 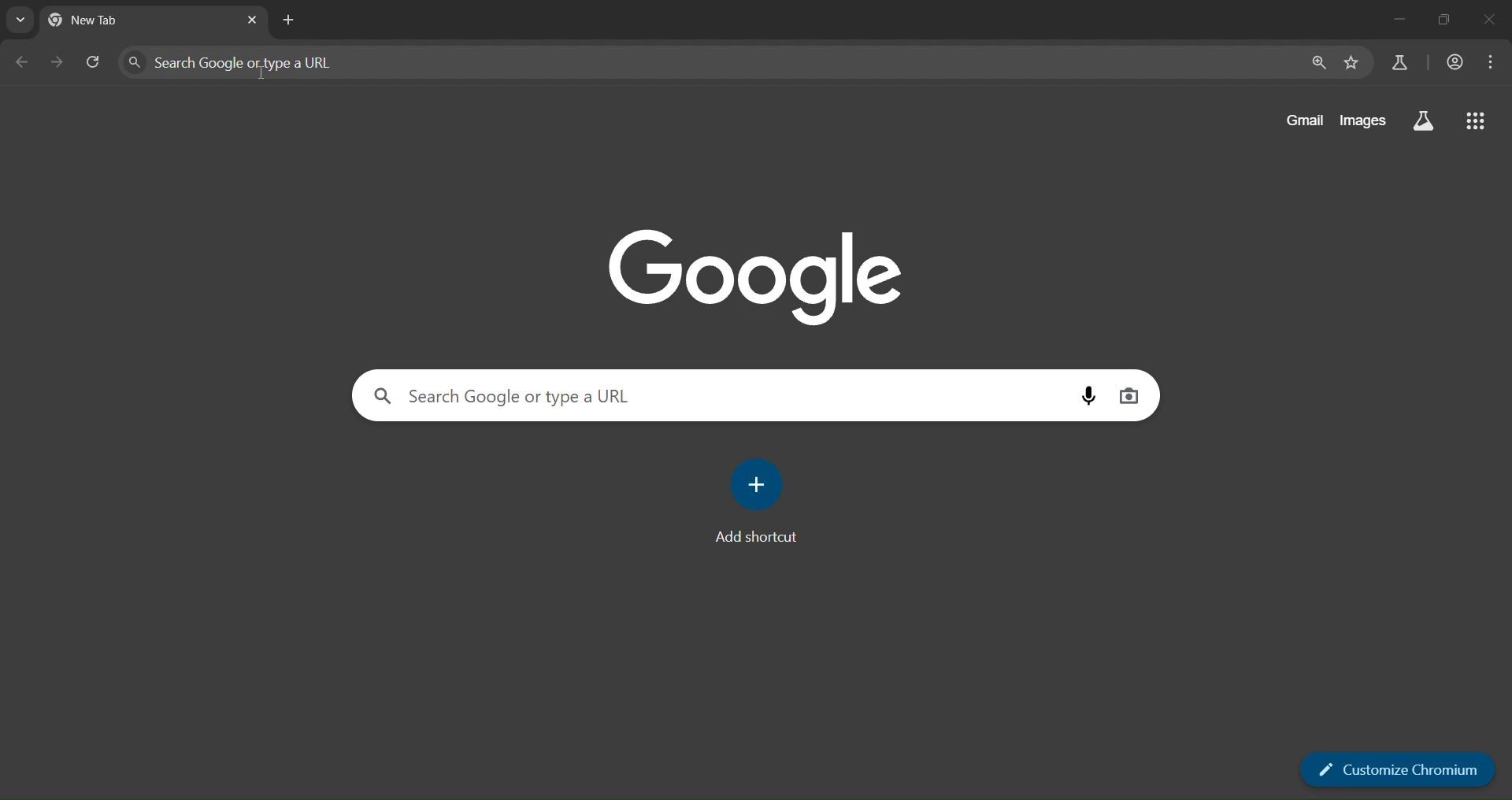 I want to click on minimize, so click(x=1395, y=20).